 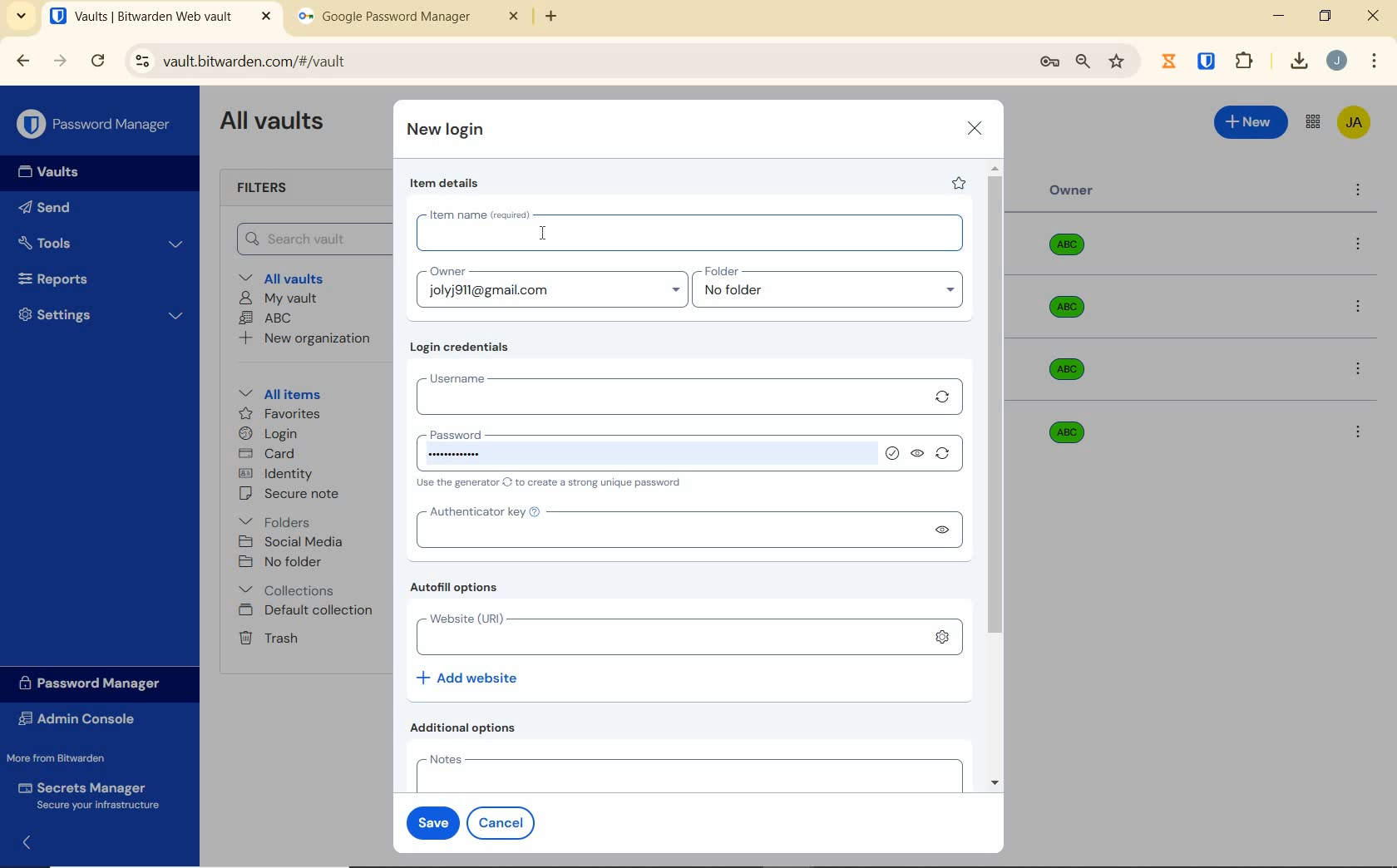 I want to click on Send, so click(x=45, y=210).